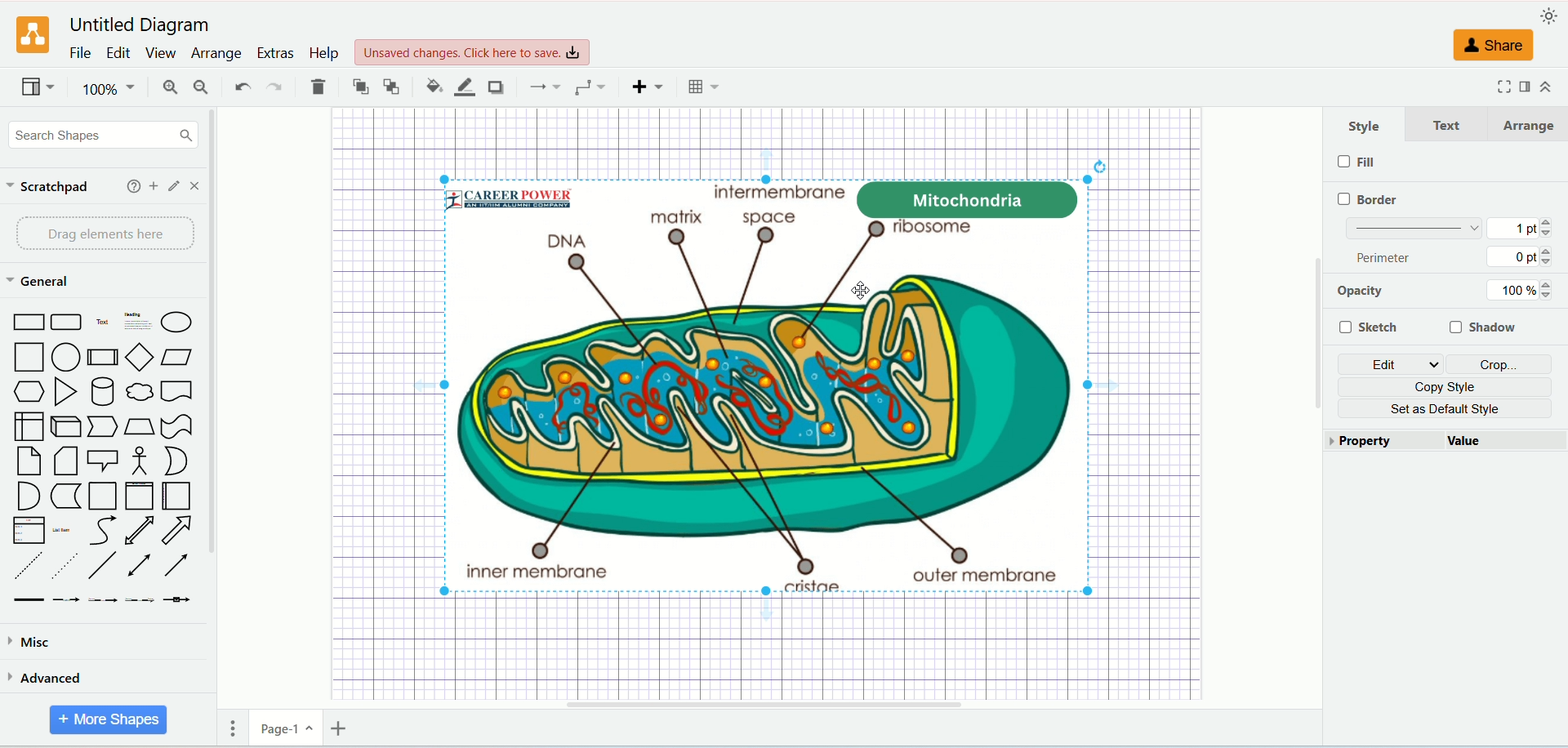 The image size is (1568, 748). I want to click on Dashed Line, so click(28, 567).